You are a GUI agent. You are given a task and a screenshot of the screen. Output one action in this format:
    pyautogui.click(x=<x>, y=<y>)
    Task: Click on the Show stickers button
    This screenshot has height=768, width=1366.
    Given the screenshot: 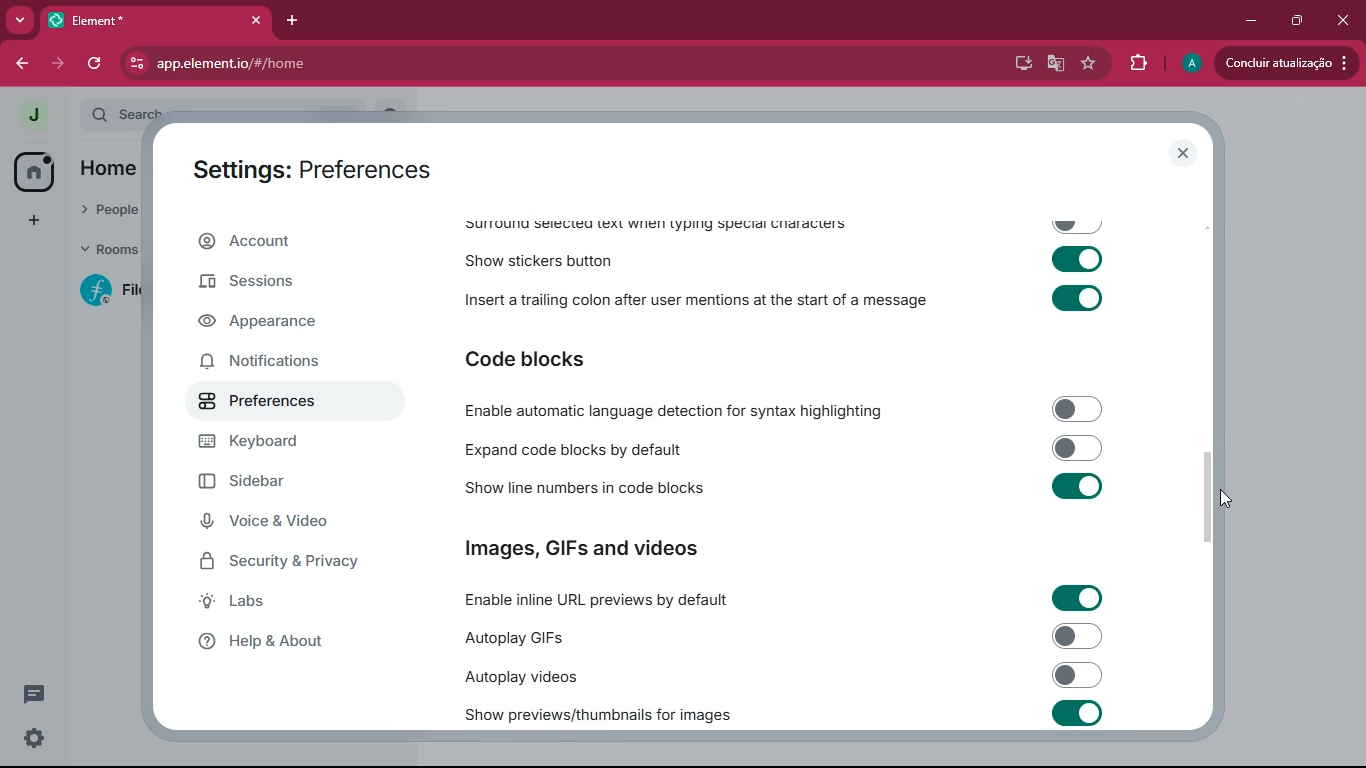 What is the action you would take?
    pyautogui.click(x=785, y=263)
    